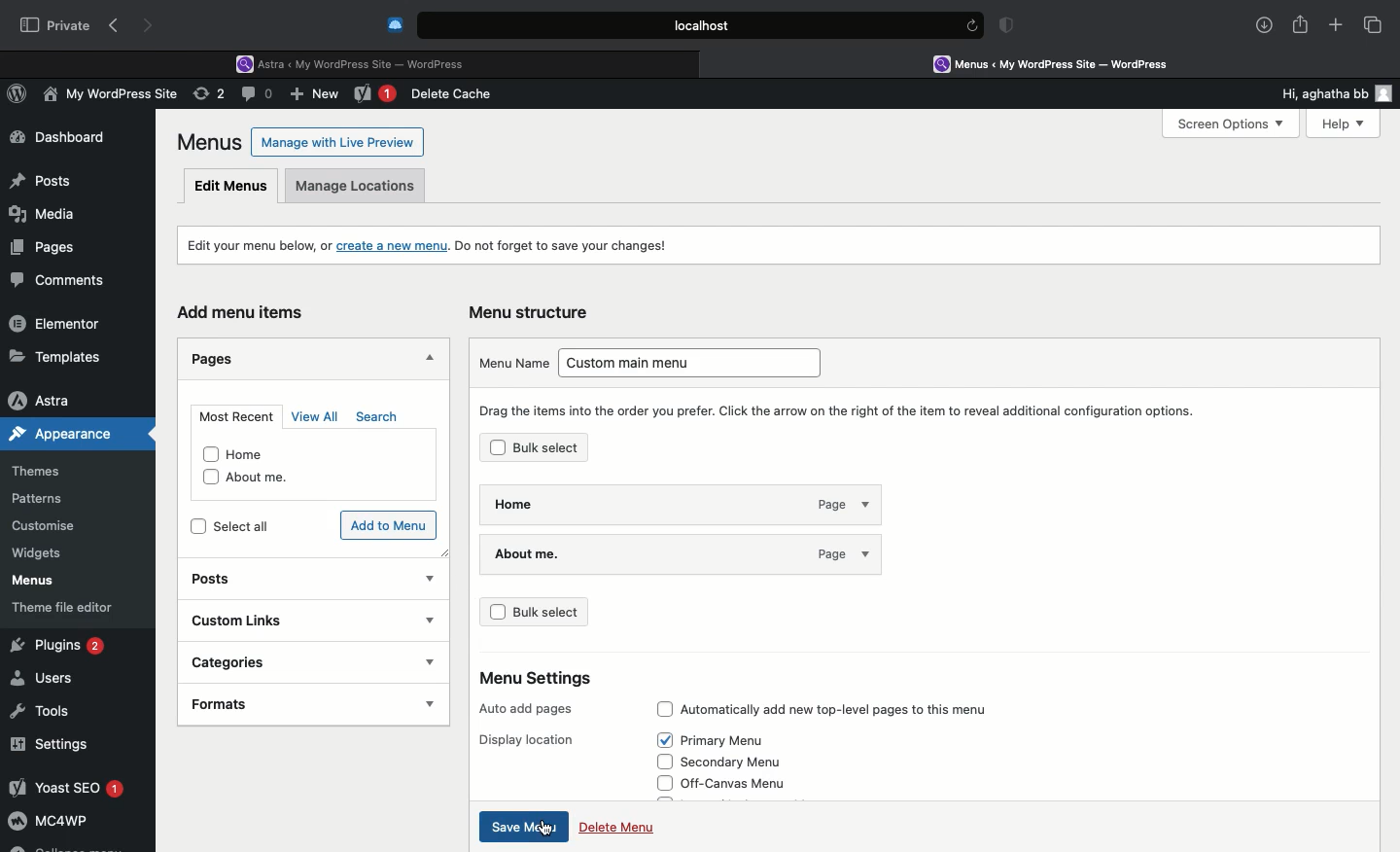 The width and height of the screenshot is (1400, 852). What do you see at coordinates (360, 191) in the screenshot?
I see `Manage locations` at bounding box center [360, 191].